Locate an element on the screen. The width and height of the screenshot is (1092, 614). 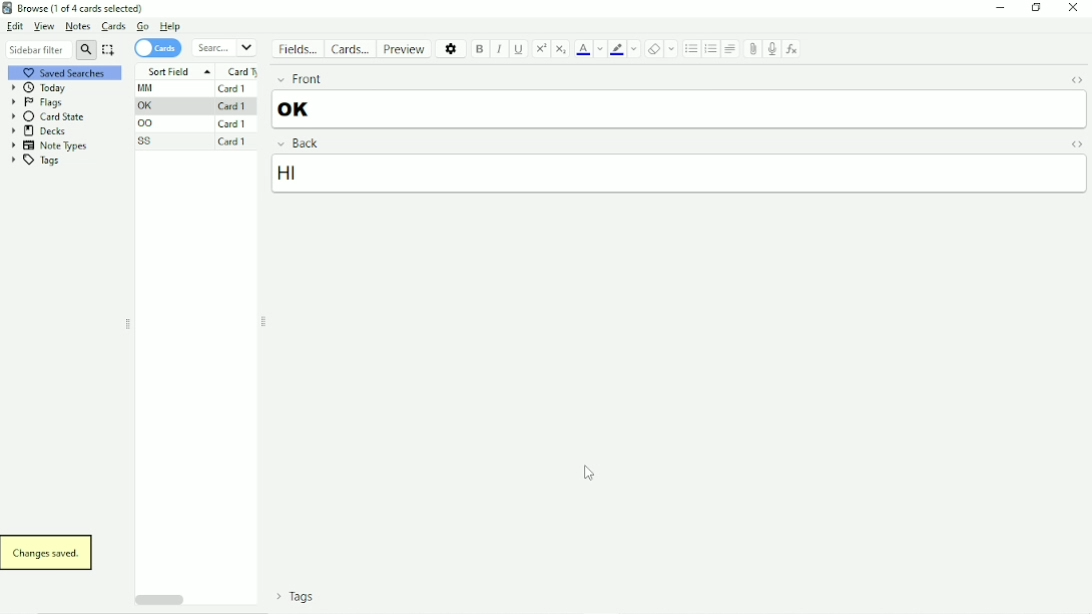
Minimize is located at coordinates (1001, 8).